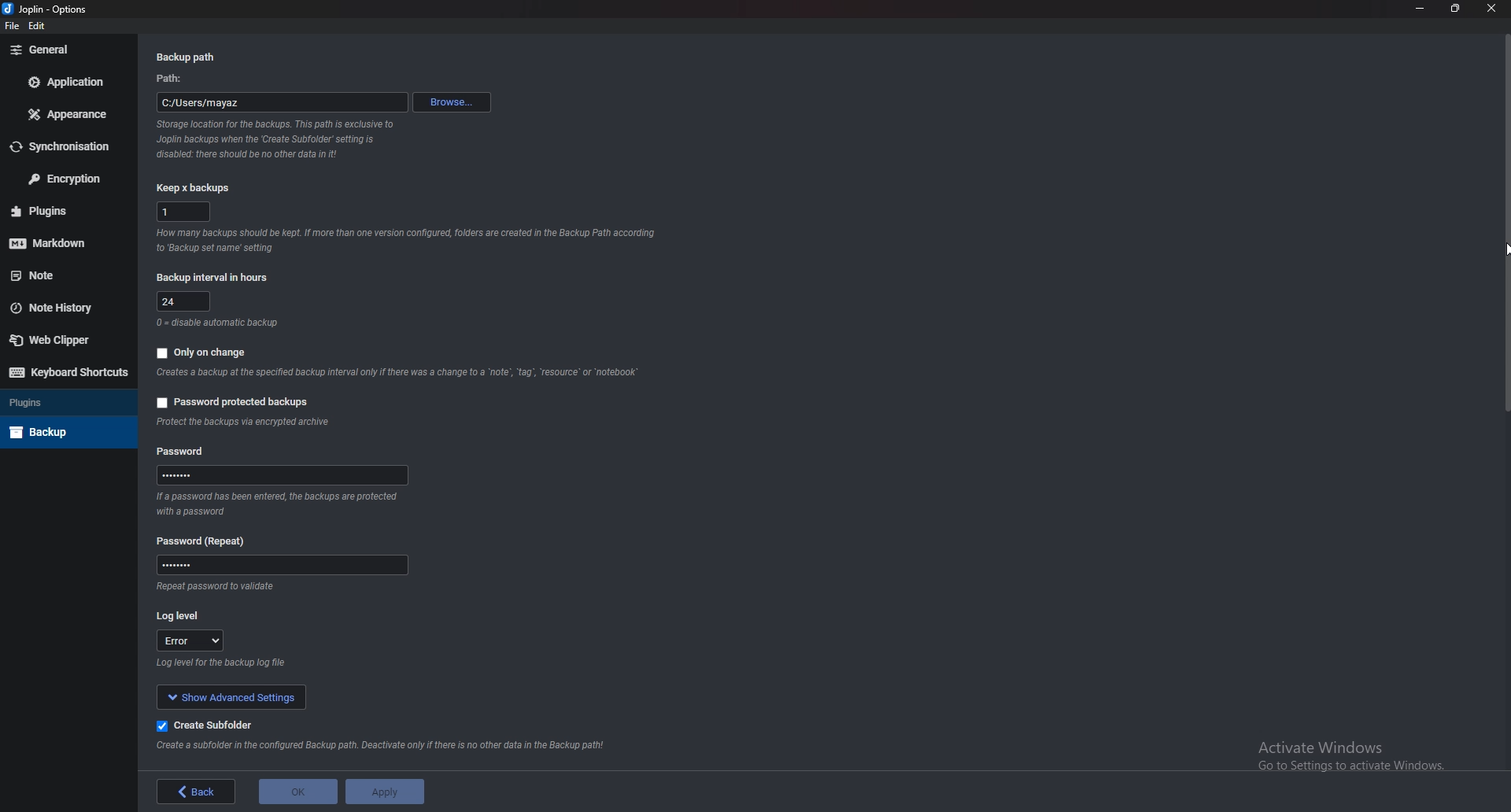 The image size is (1511, 812). Describe the element at coordinates (409, 240) in the screenshot. I see `Info` at that location.